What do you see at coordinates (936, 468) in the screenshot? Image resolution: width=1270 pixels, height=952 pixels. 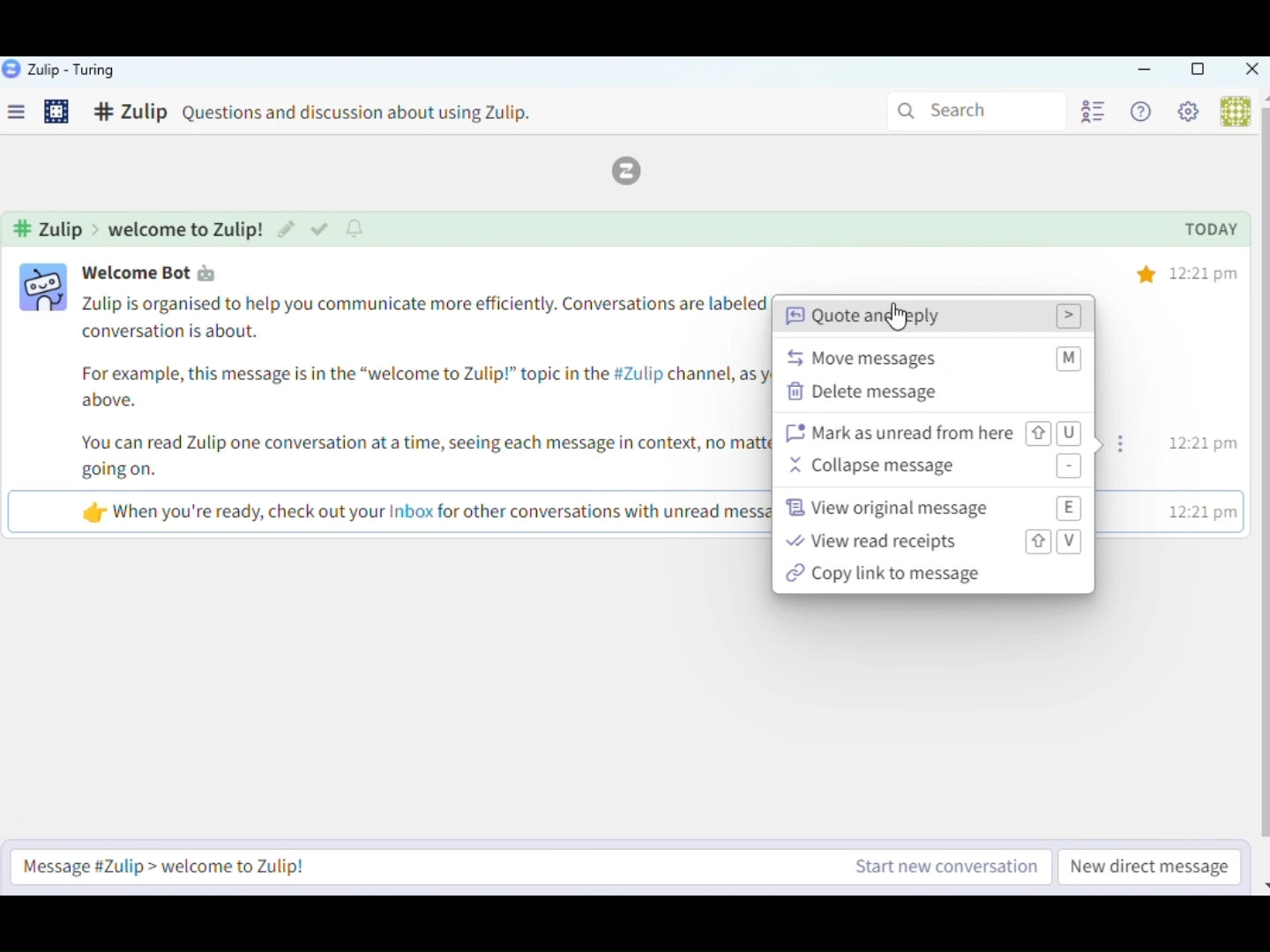 I see `Collapse message` at bounding box center [936, 468].